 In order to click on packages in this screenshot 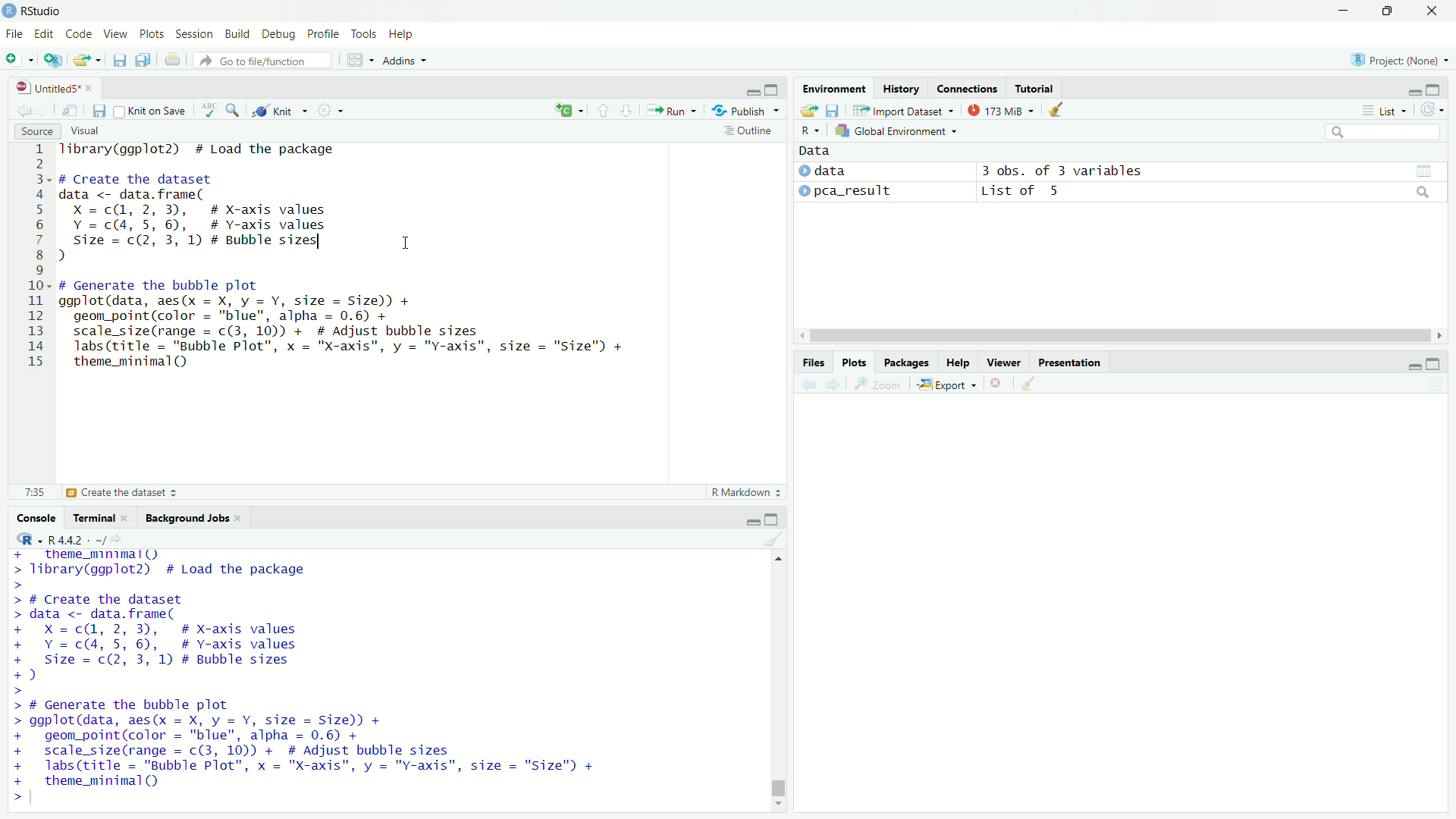, I will do `click(906, 362)`.